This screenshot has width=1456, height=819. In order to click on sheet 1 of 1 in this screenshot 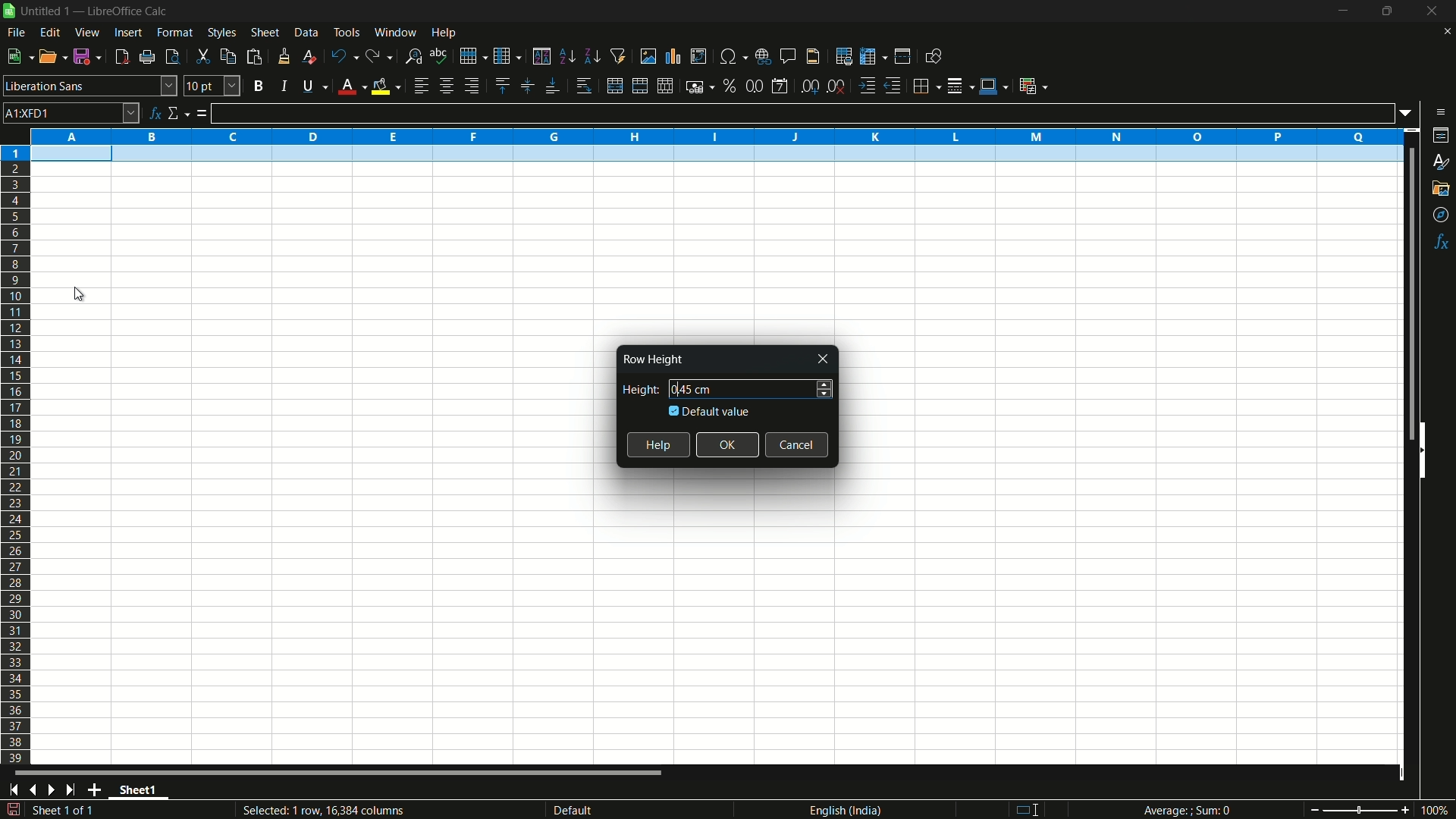, I will do `click(68, 812)`.